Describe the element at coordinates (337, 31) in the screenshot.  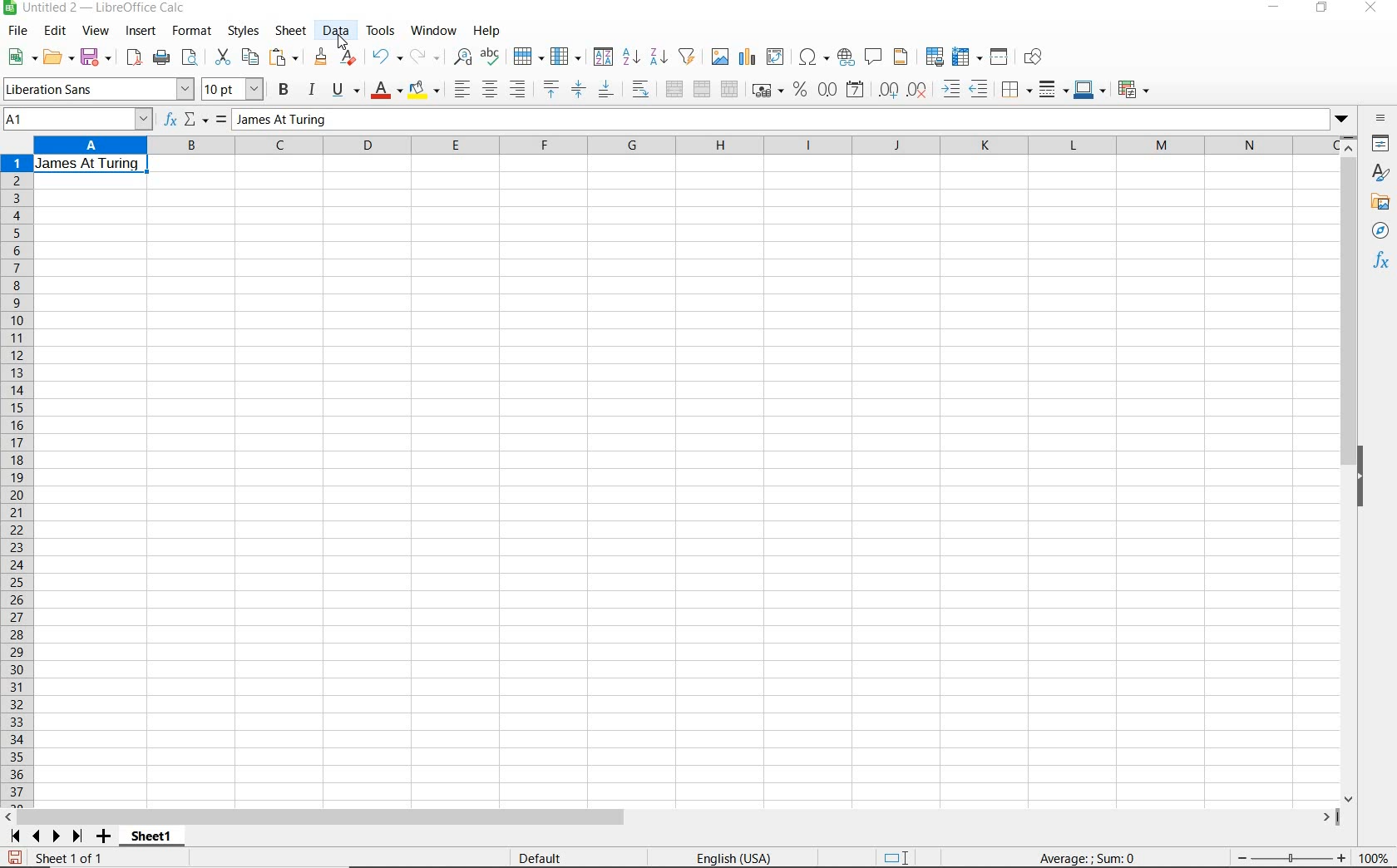
I see `data` at that location.